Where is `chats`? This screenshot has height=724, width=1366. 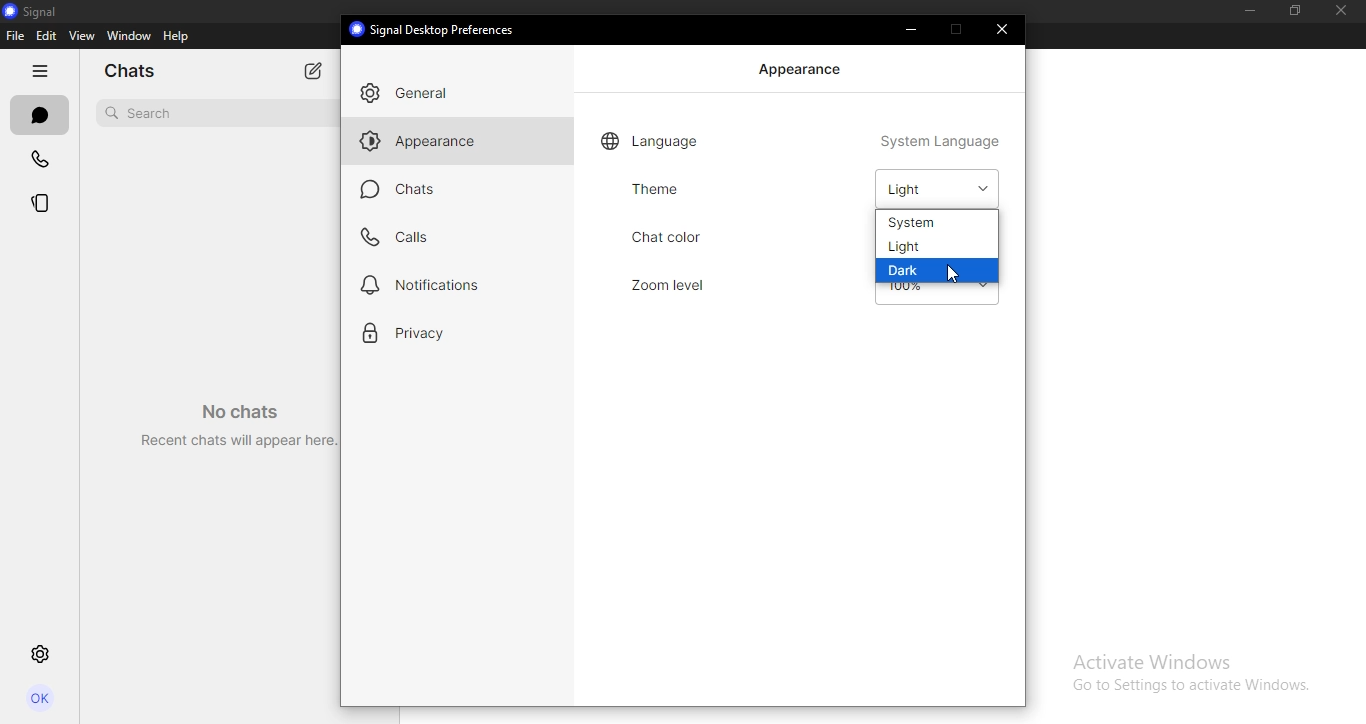 chats is located at coordinates (38, 116).